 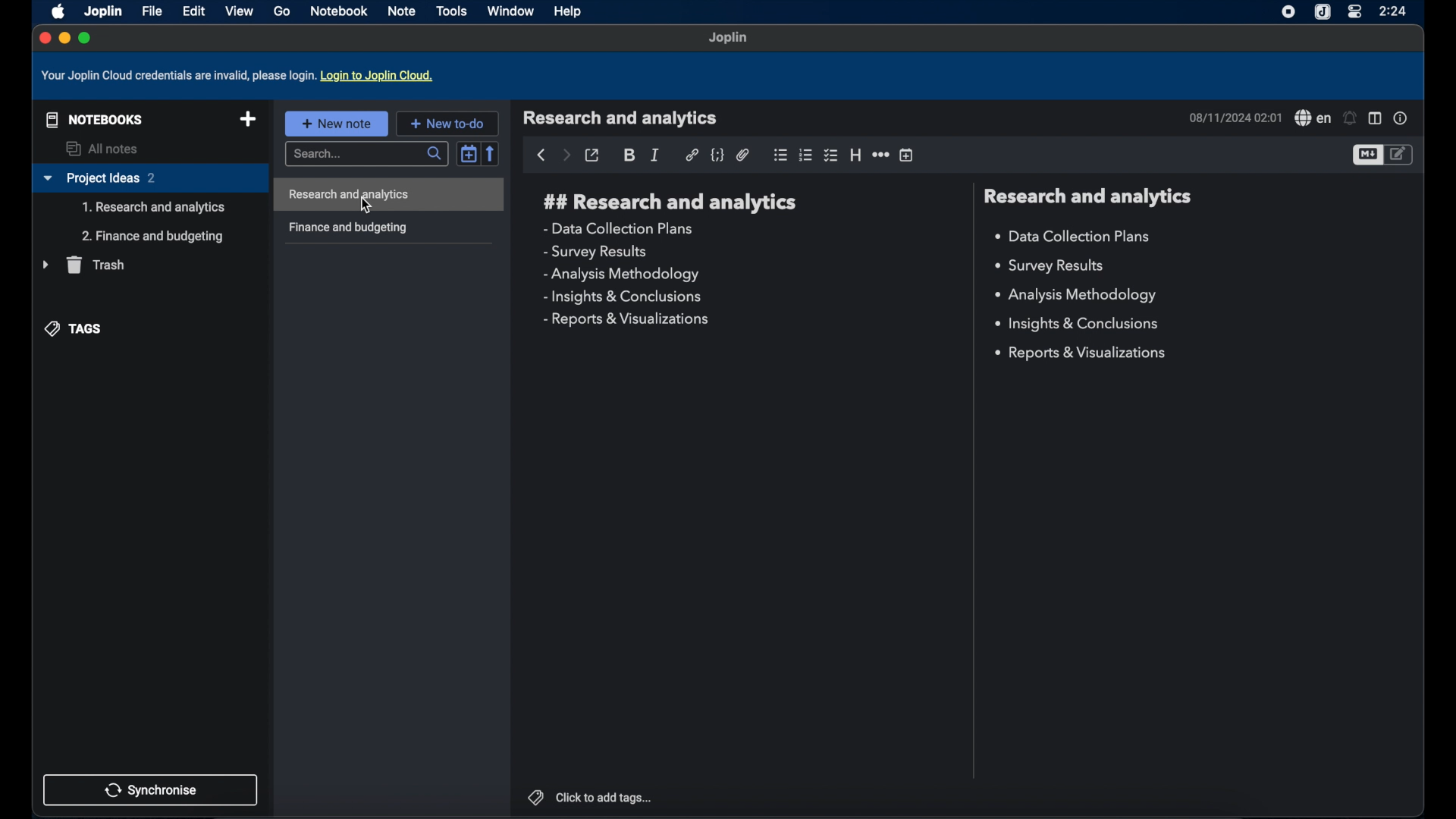 I want to click on horizontal rule, so click(x=880, y=155).